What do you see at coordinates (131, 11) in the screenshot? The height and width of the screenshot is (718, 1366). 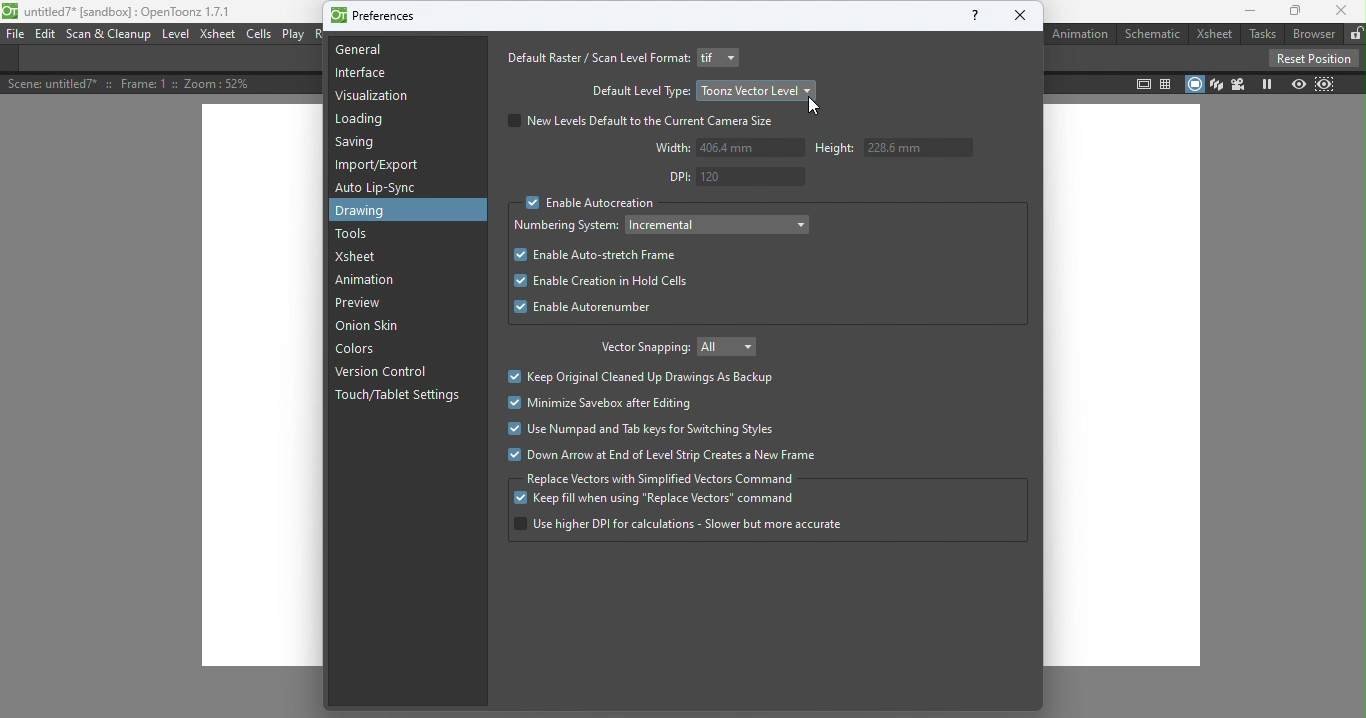 I see `File name` at bounding box center [131, 11].